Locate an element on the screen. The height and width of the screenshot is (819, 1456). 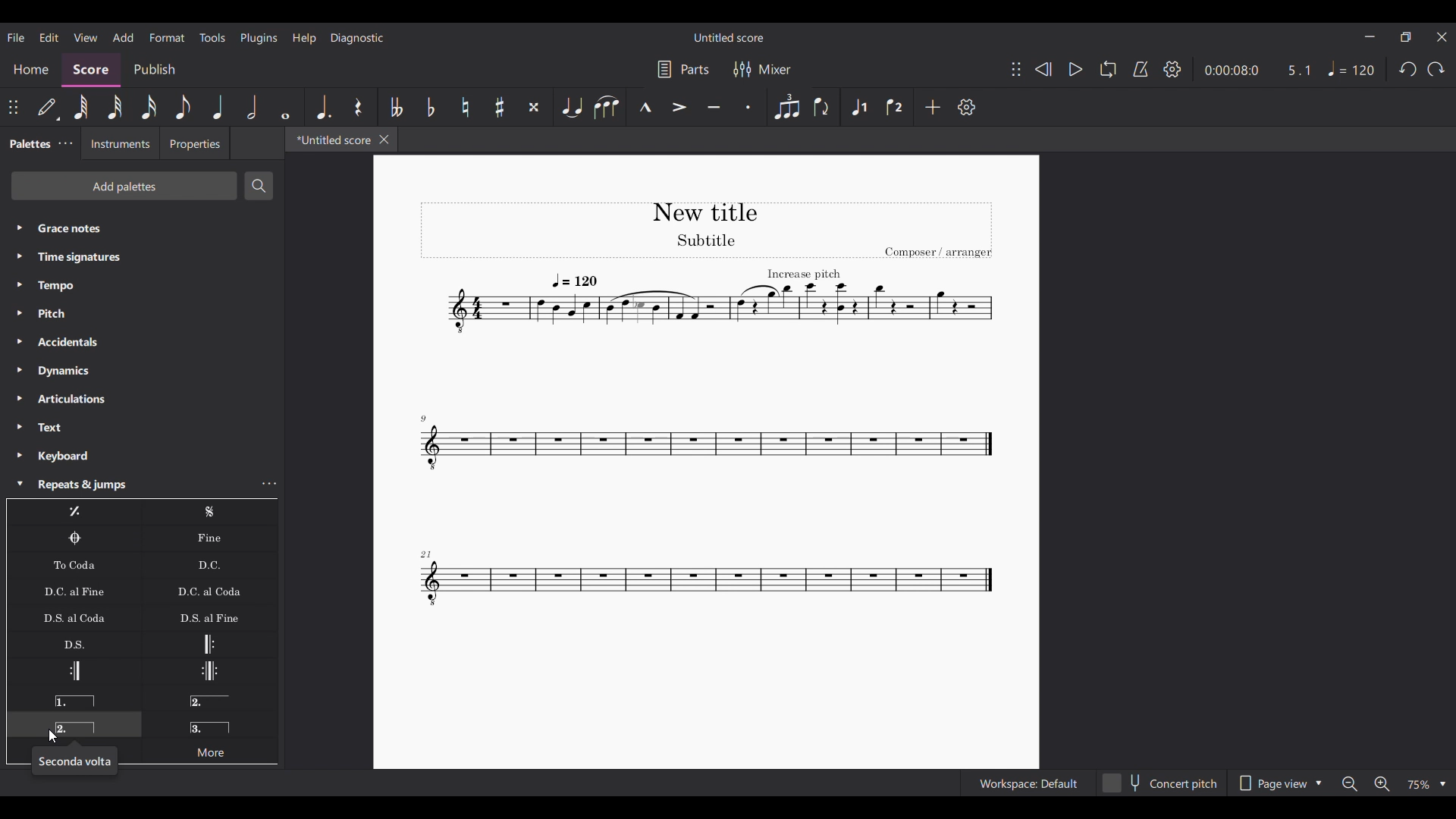
Grace notes is located at coordinates (142, 228).